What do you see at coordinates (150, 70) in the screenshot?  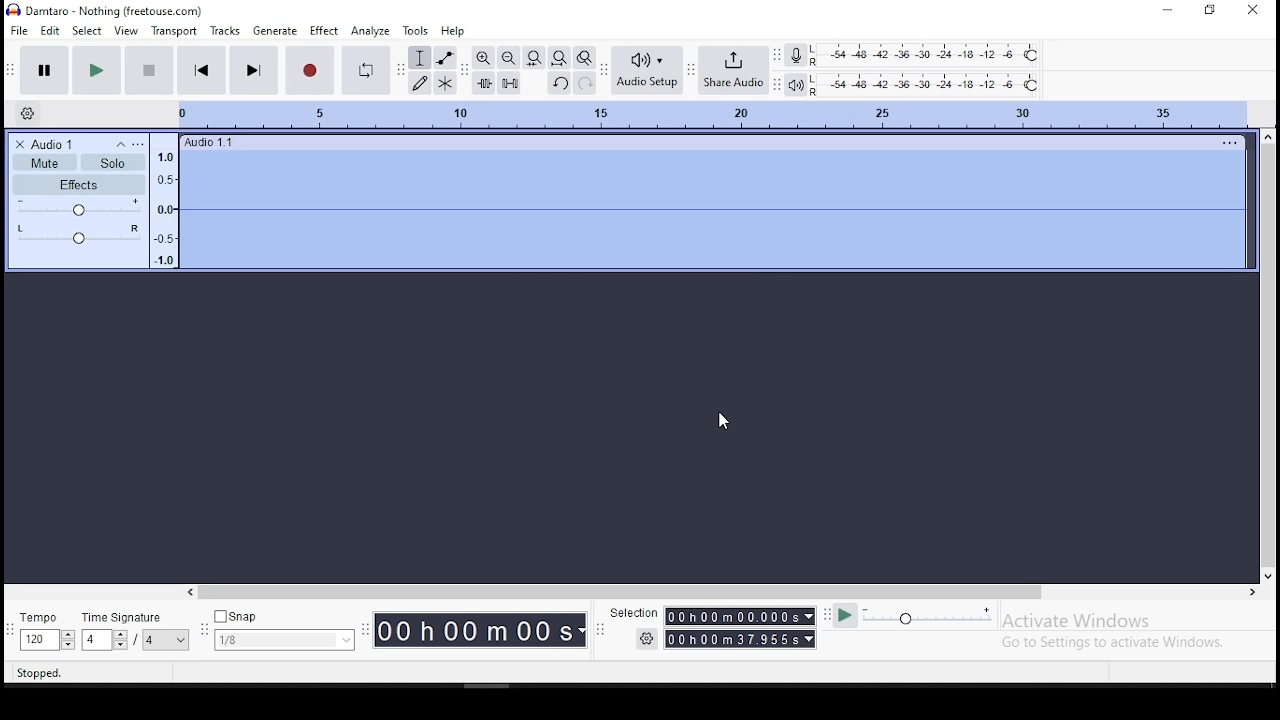 I see `stop` at bounding box center [150, 70].